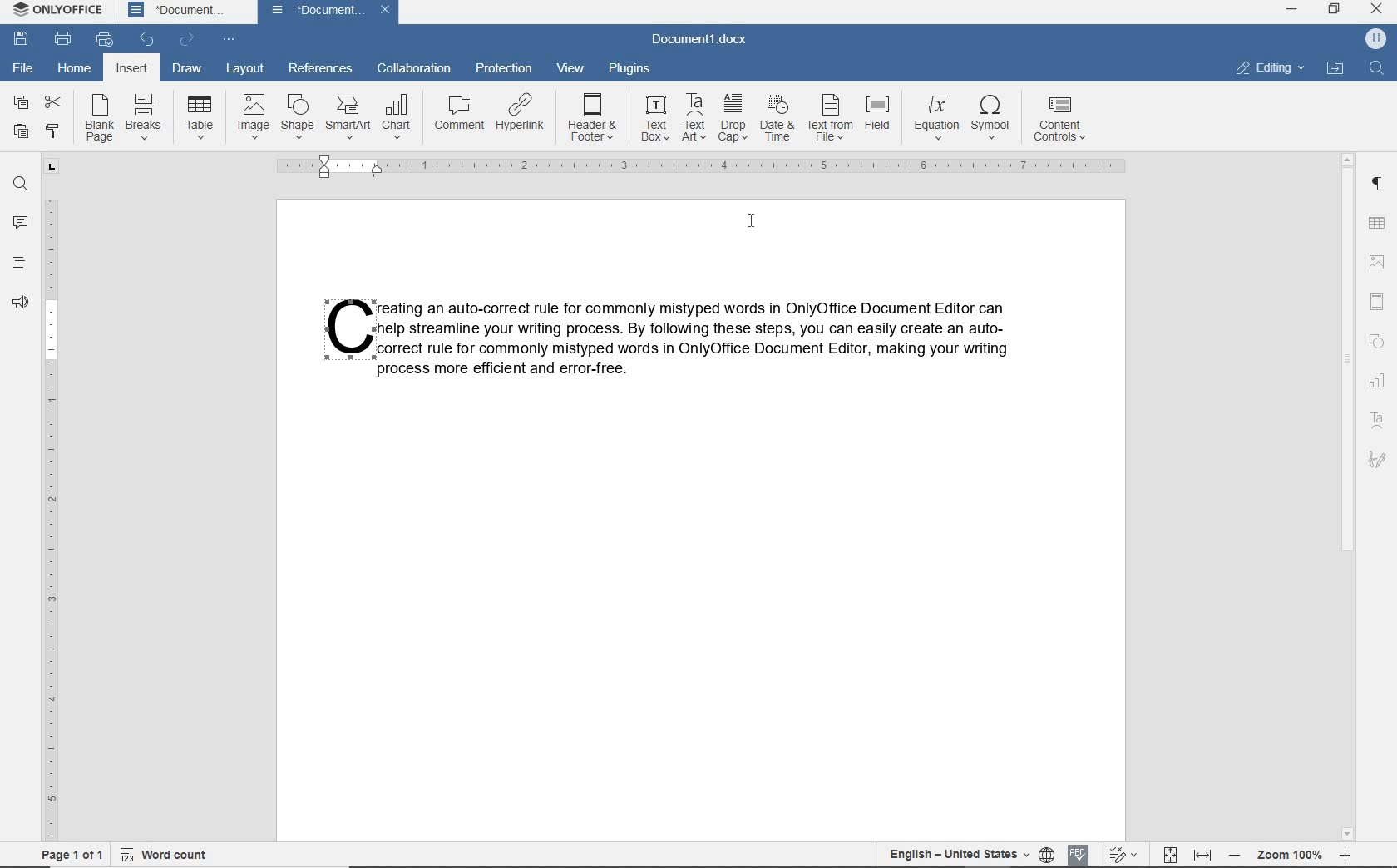 The height and width of the screenshot is (868, 1397). I want to click on ruler, so click(49, 497).